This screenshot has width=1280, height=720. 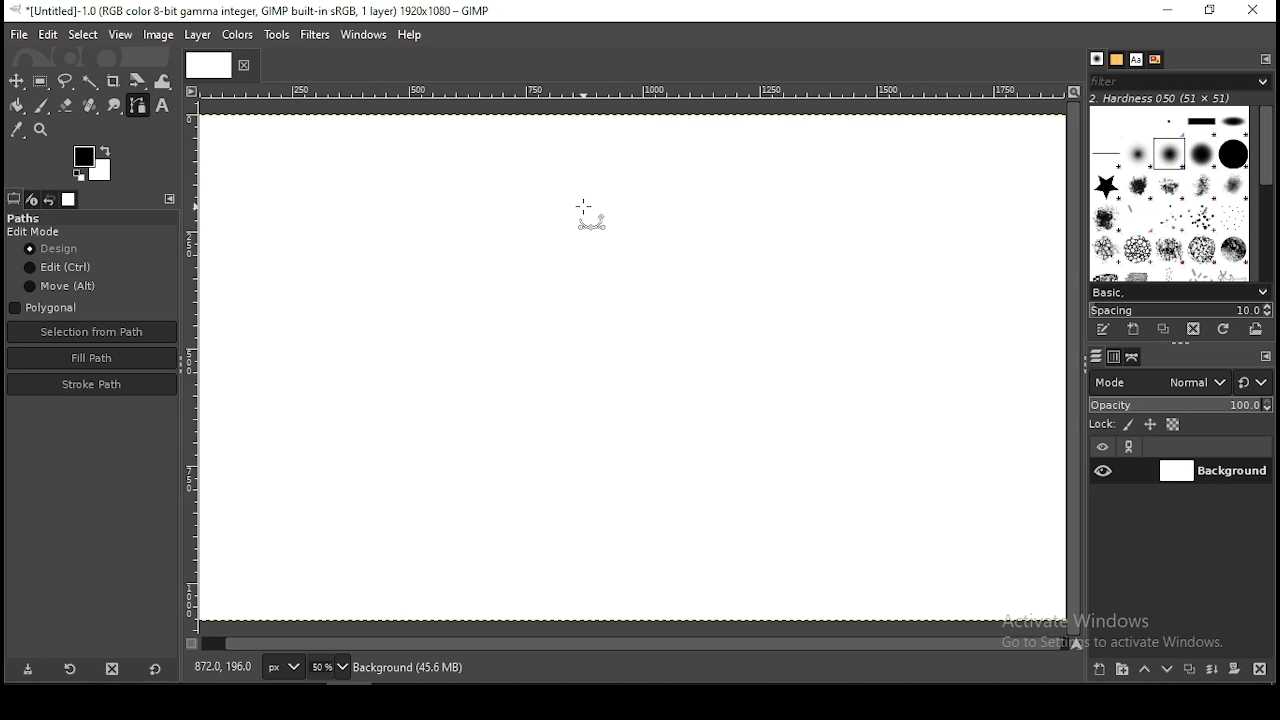 What do you see at coordinates (1255, 382) in the screenshot?
I see `switch to other modes` at bounding box center [1255, 382].